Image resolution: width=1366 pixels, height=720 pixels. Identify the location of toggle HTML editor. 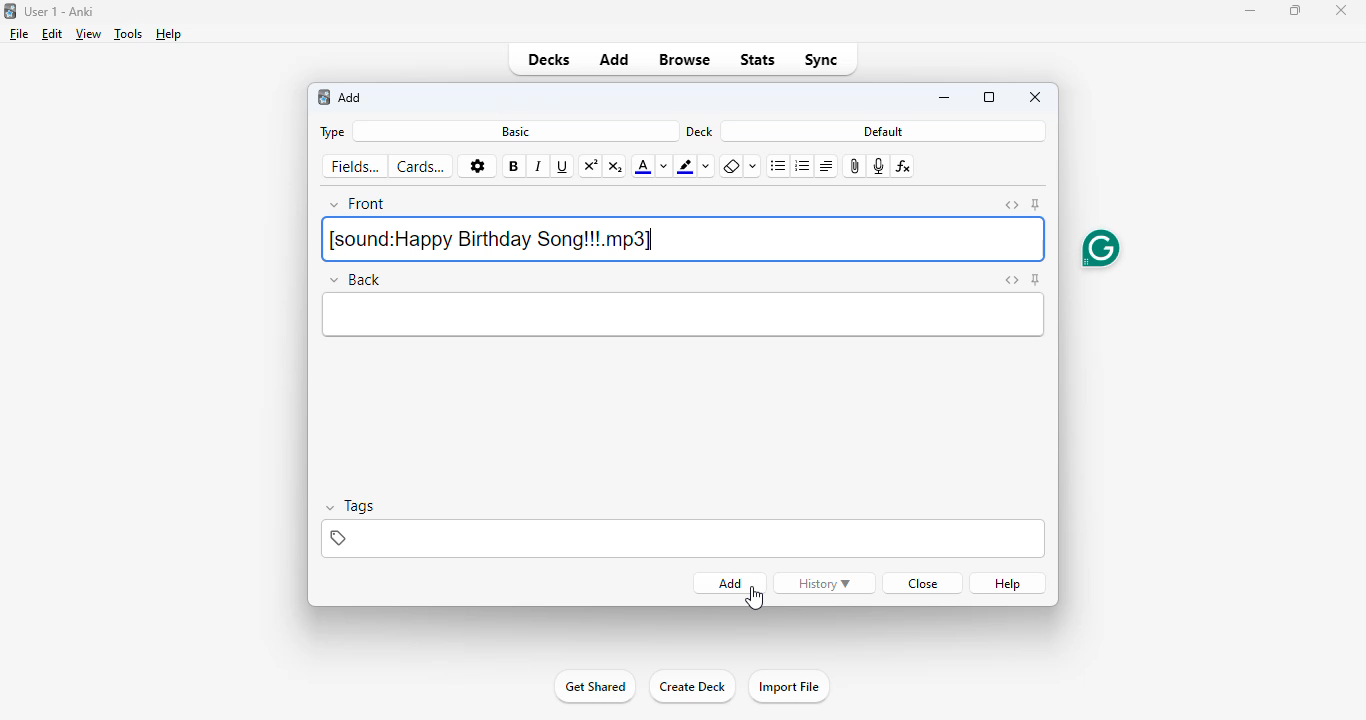
(1011, 205).